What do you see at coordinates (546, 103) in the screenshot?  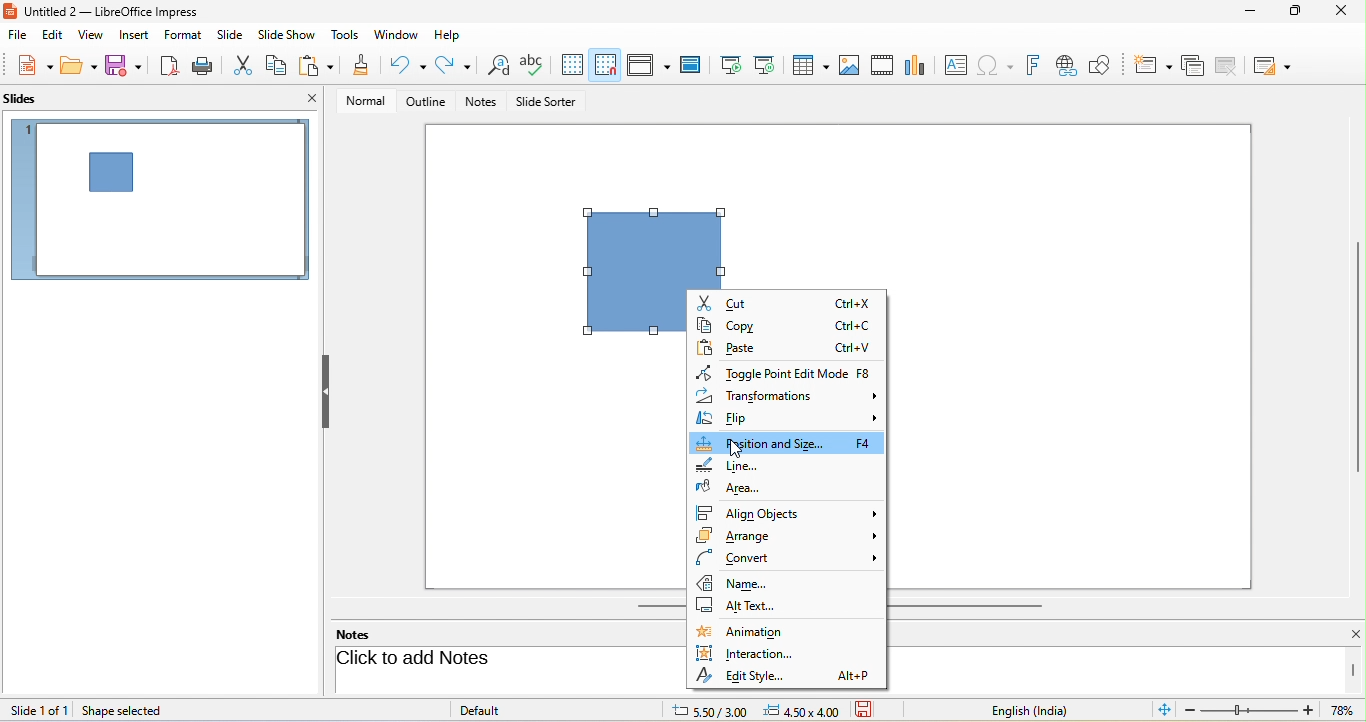 I see `slide sorter` at bounding box center [546, 103].